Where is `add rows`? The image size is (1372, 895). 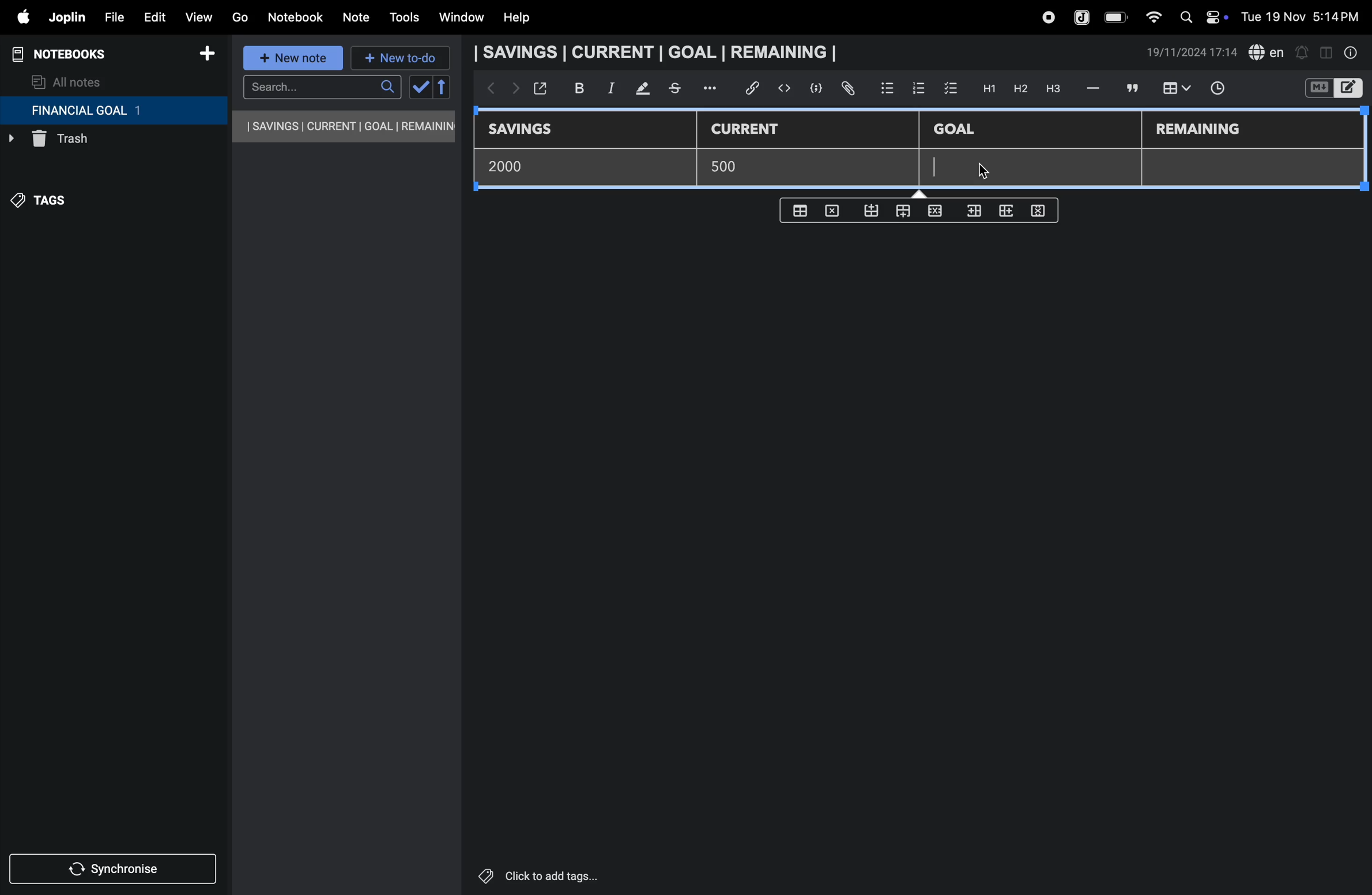 add rows is located at coordinates (1004, 214).